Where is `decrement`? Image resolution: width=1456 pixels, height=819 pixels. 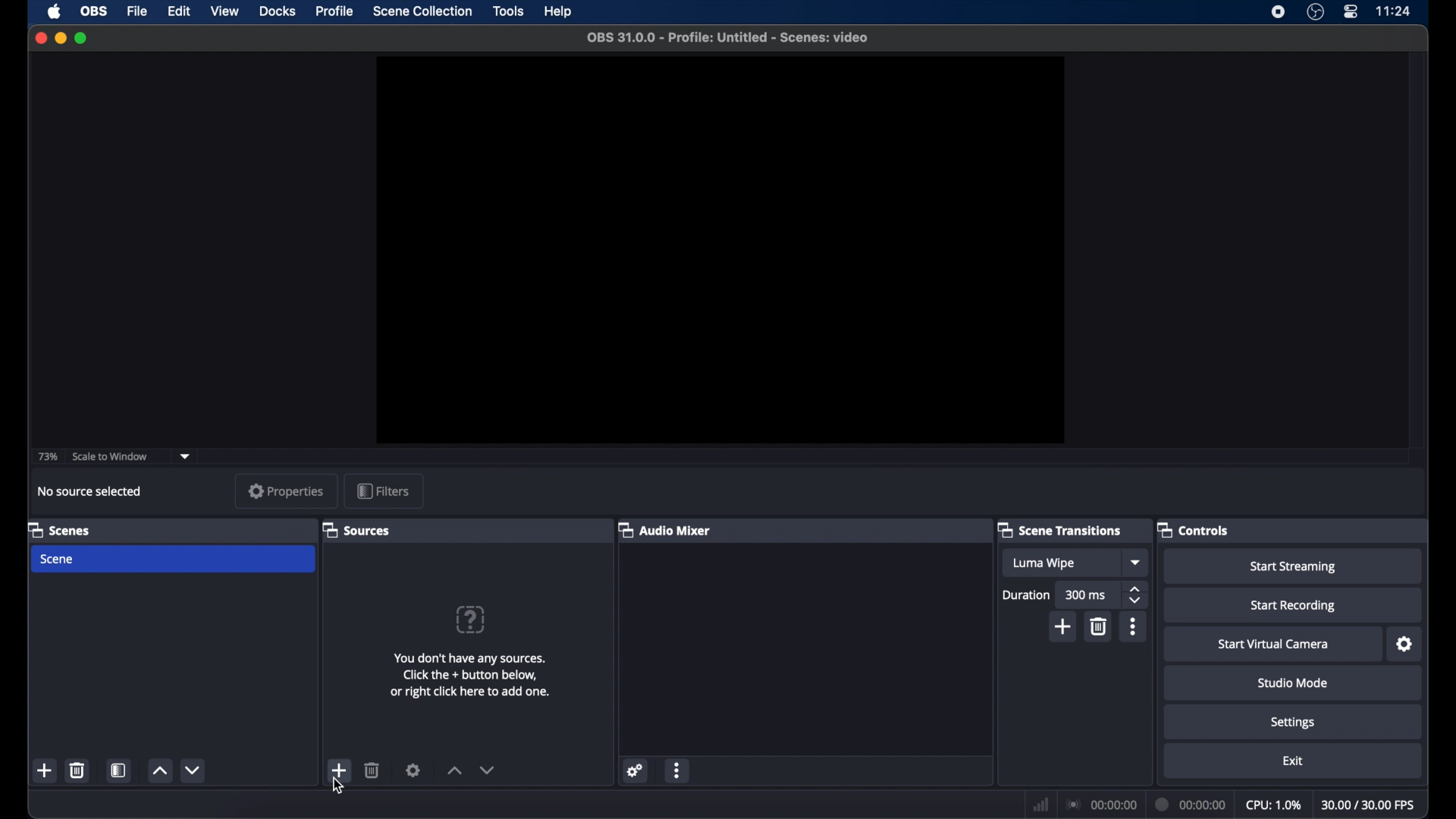 decrement is located at coordinates (486, 770).